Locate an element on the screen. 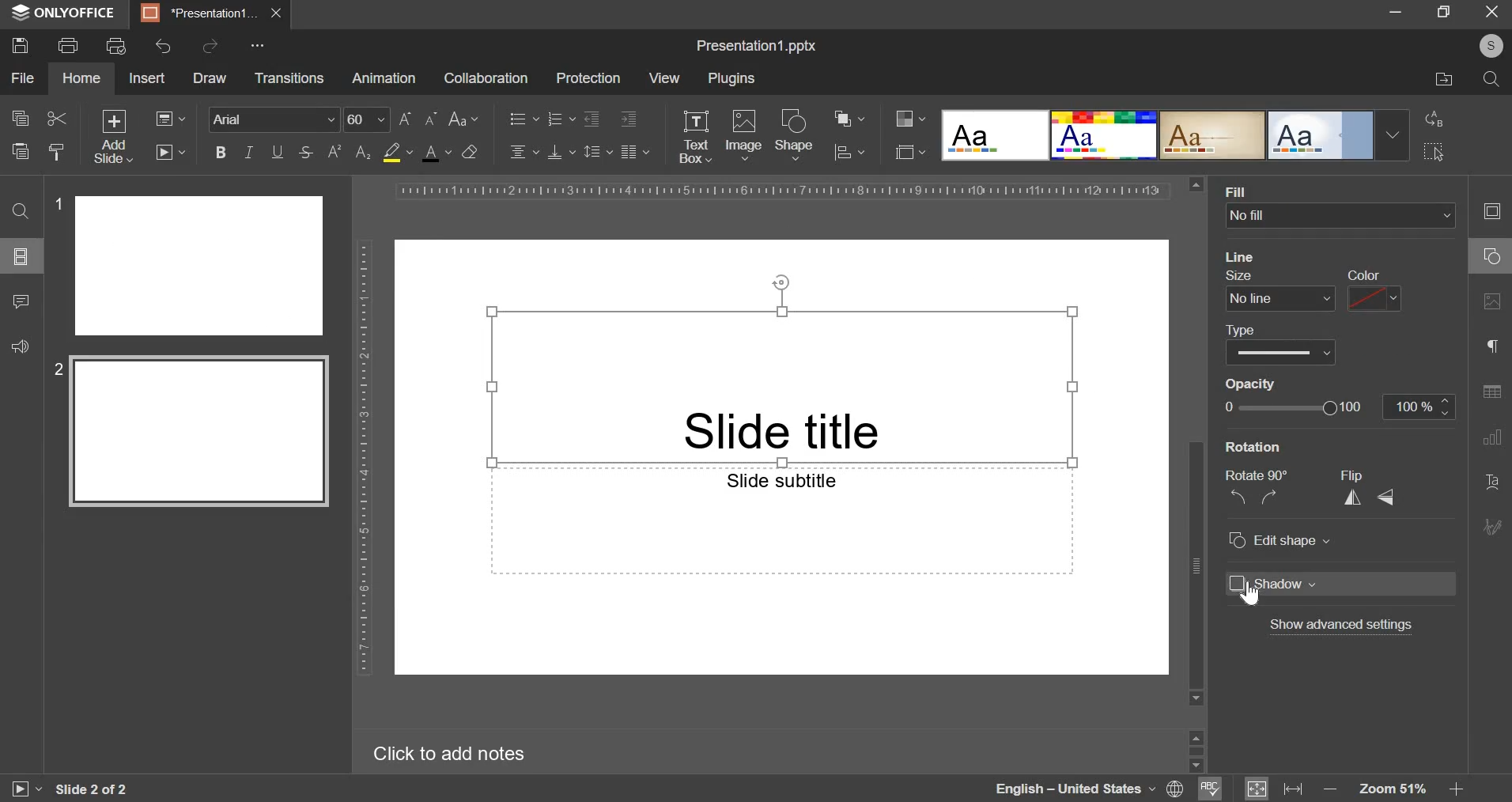 This screenshot has width=1512, height=802. redo is located at coordinates (209, 45).